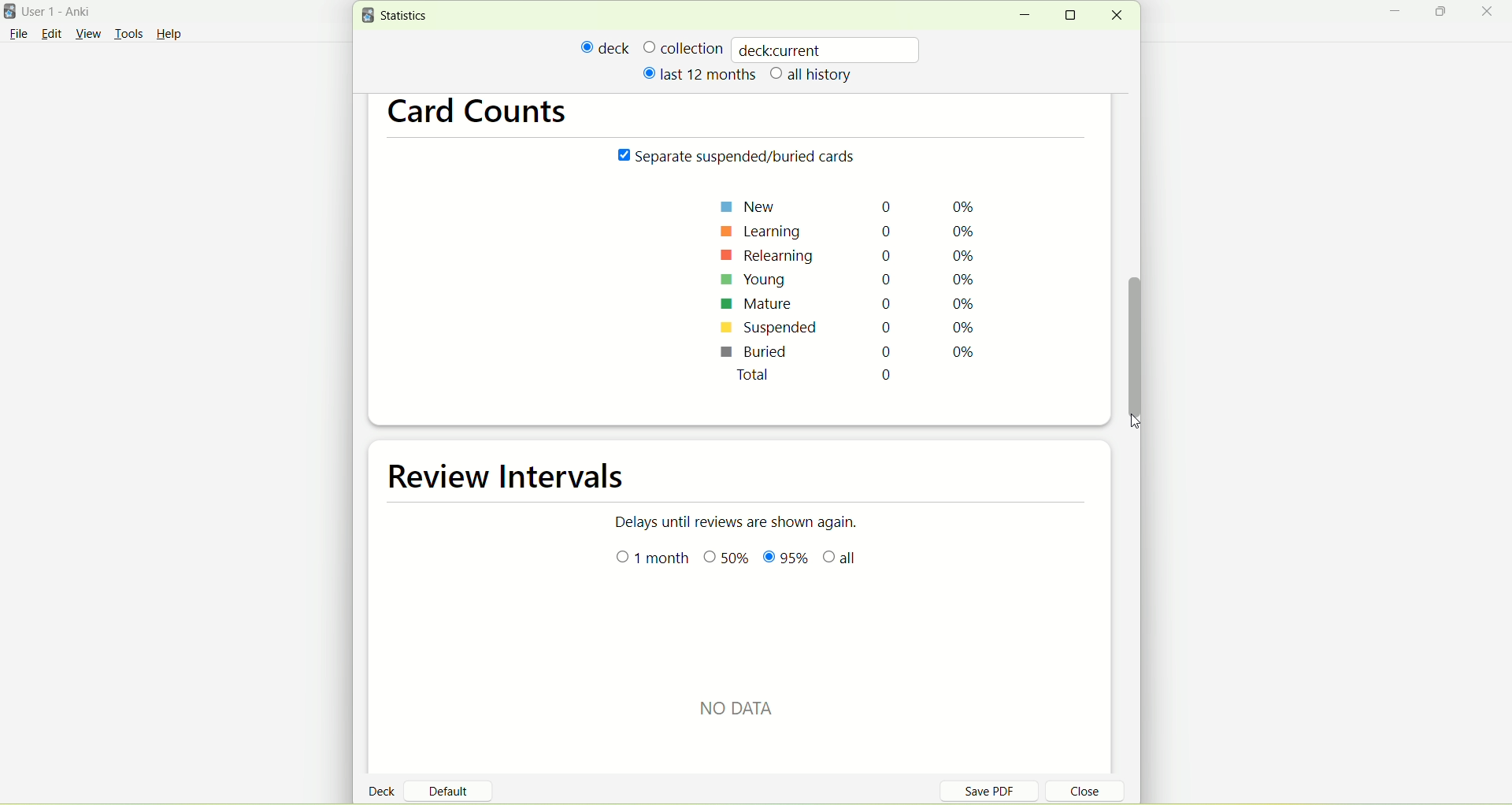  I want to click on tools, so click(128, 35).